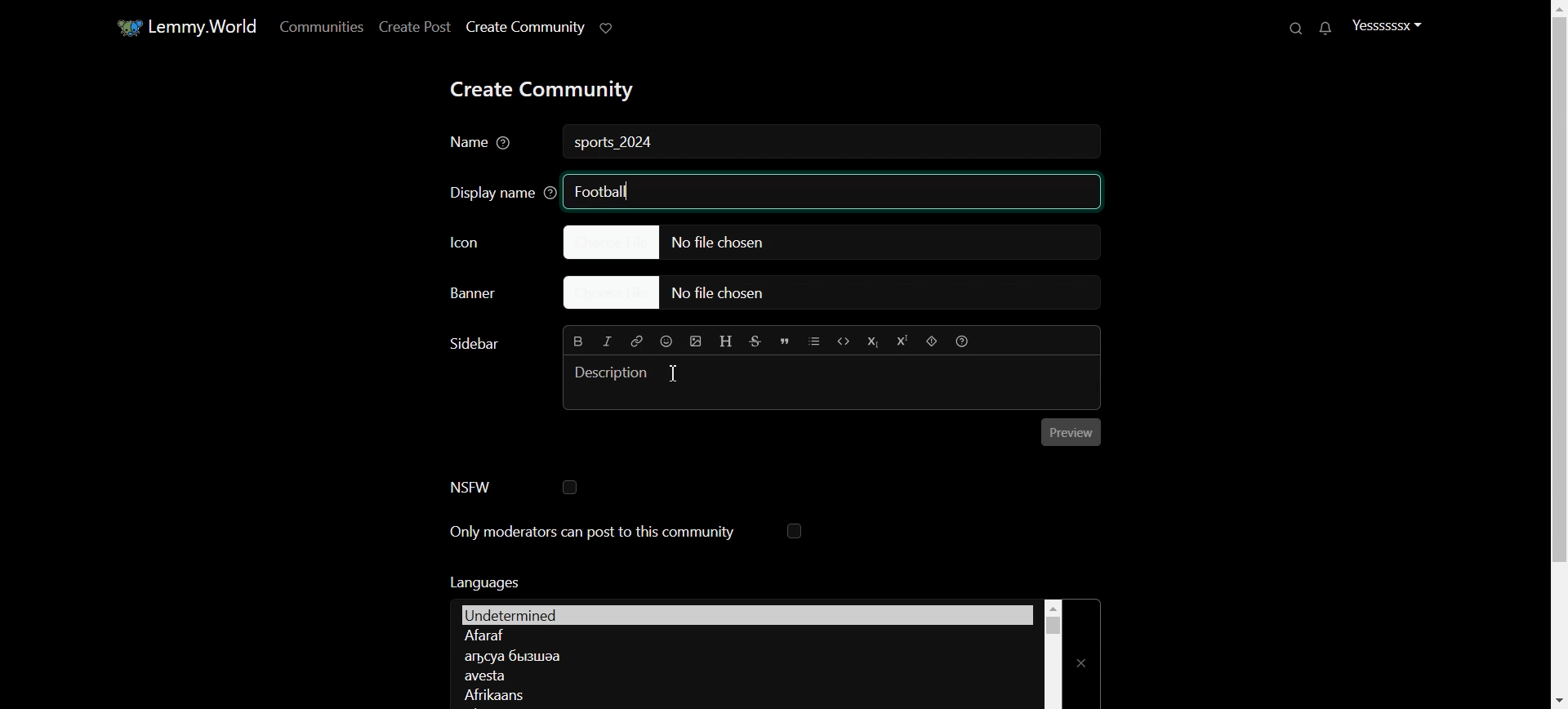  I want to click on Spoiler, so click(932, 341).